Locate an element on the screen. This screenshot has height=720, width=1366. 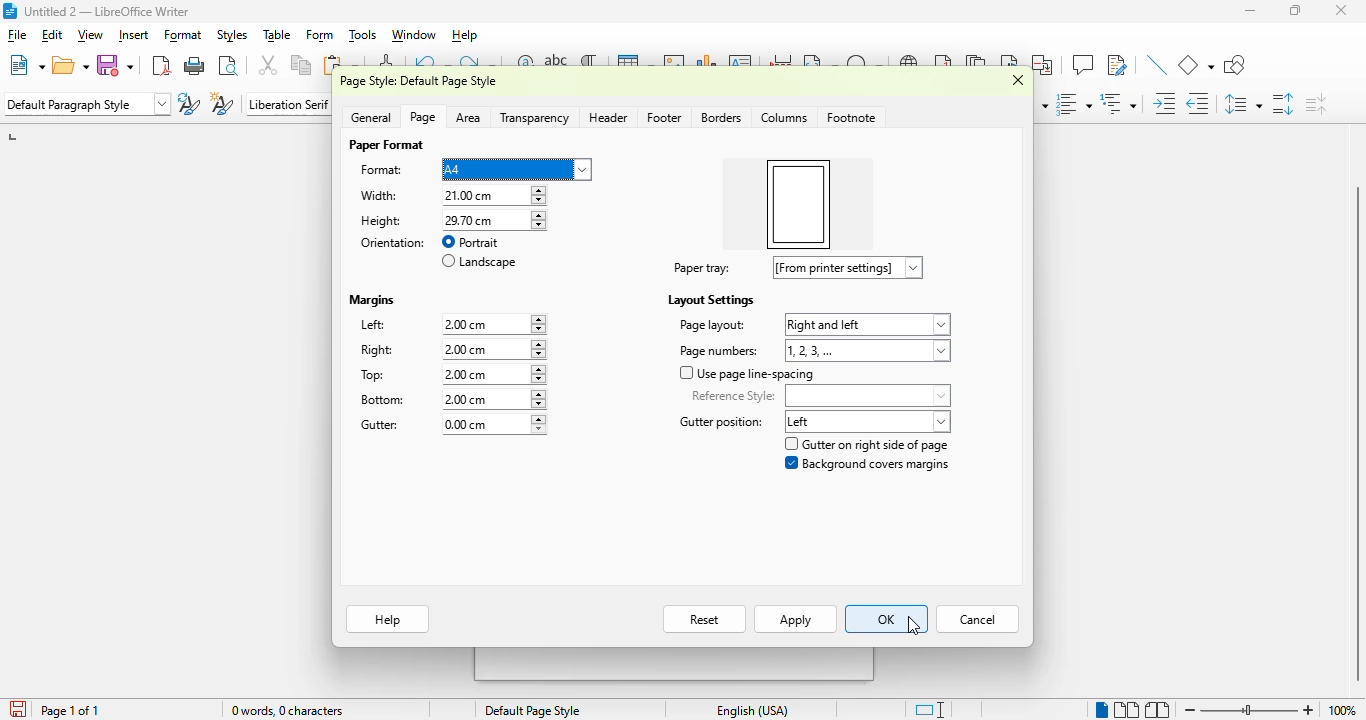
maximize is located at coordinates (1294, 10).